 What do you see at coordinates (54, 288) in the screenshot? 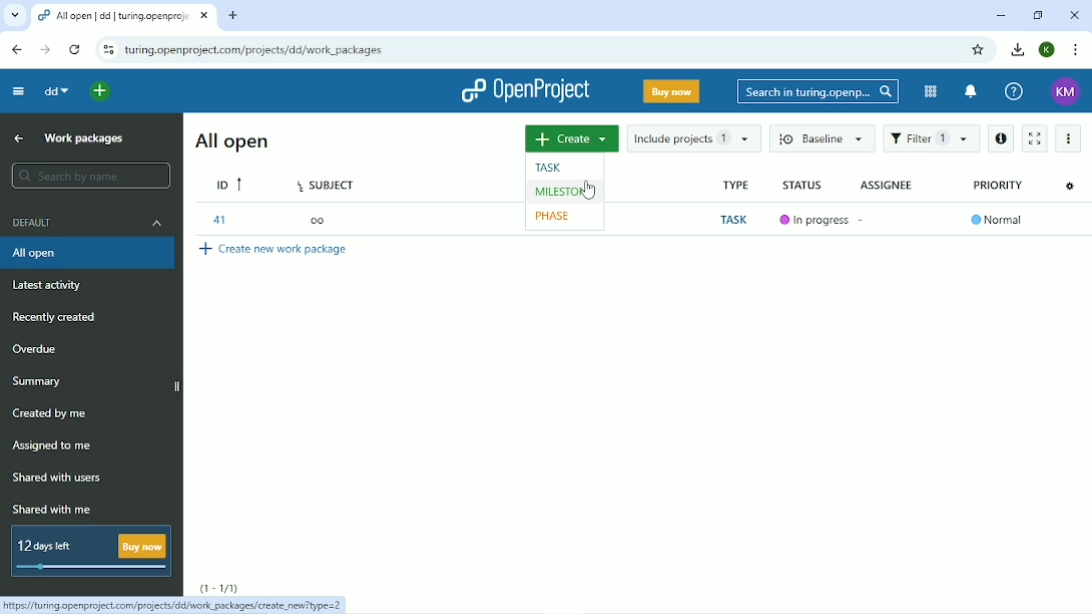
I see `Latest activity` at bounding box center [54, 288].